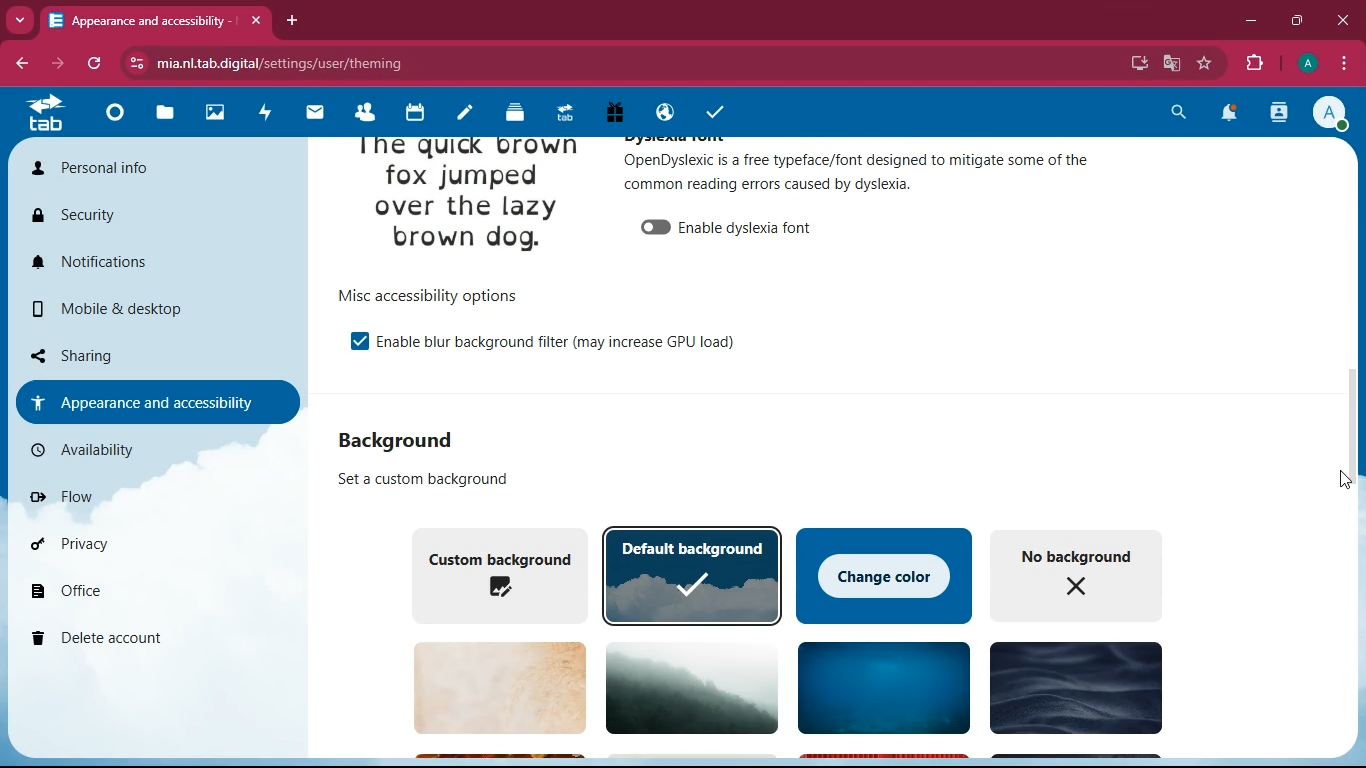 The width and height of the screenshot is (1366, 768). Describe the element at coordinates (350, 340) in the screenshot. I see `enable` at that location.